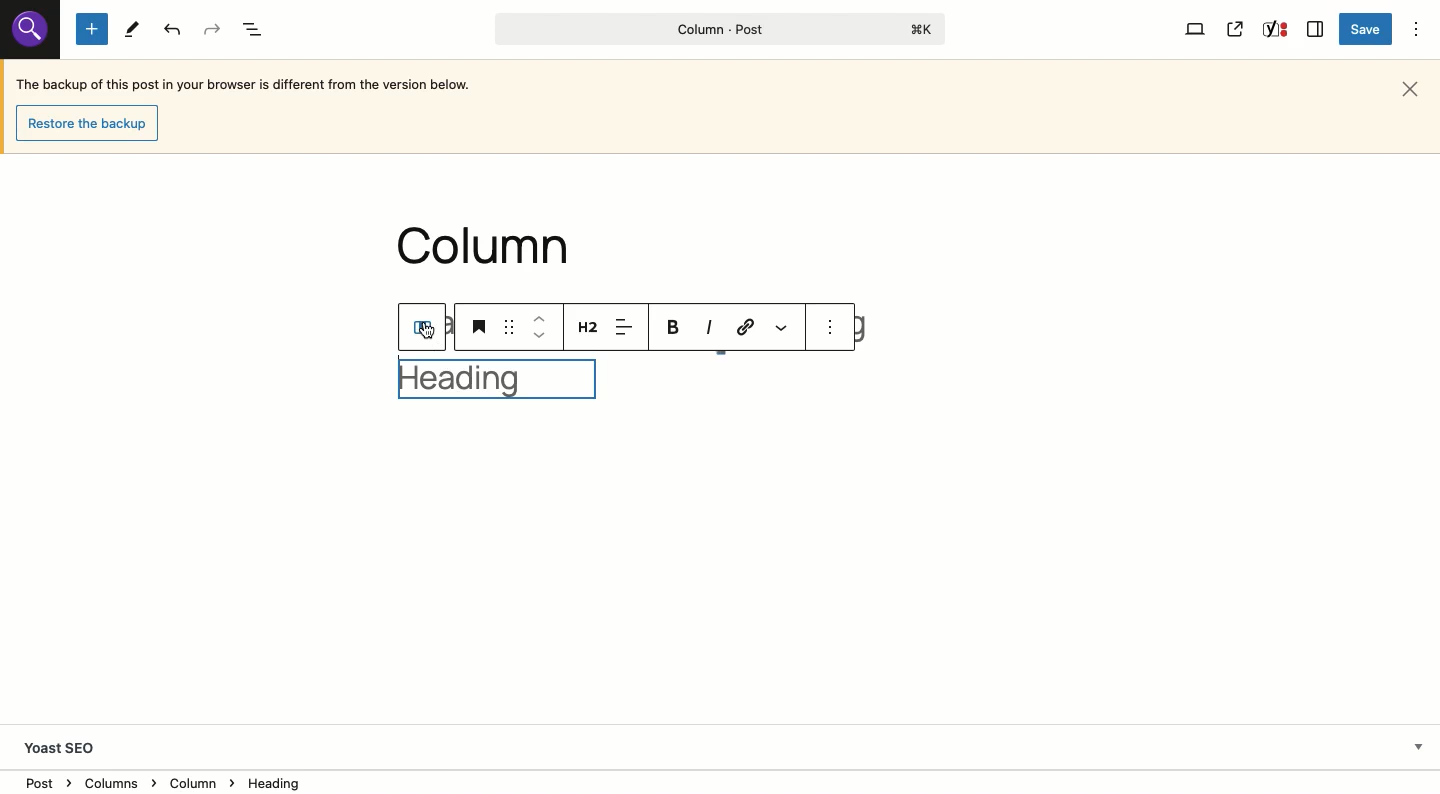 The image size is (1440, 794). Describe the element at coordinates (245, 87) in the screenshot. I see `The backup of this post in your browser is different from the version below.` at that location.